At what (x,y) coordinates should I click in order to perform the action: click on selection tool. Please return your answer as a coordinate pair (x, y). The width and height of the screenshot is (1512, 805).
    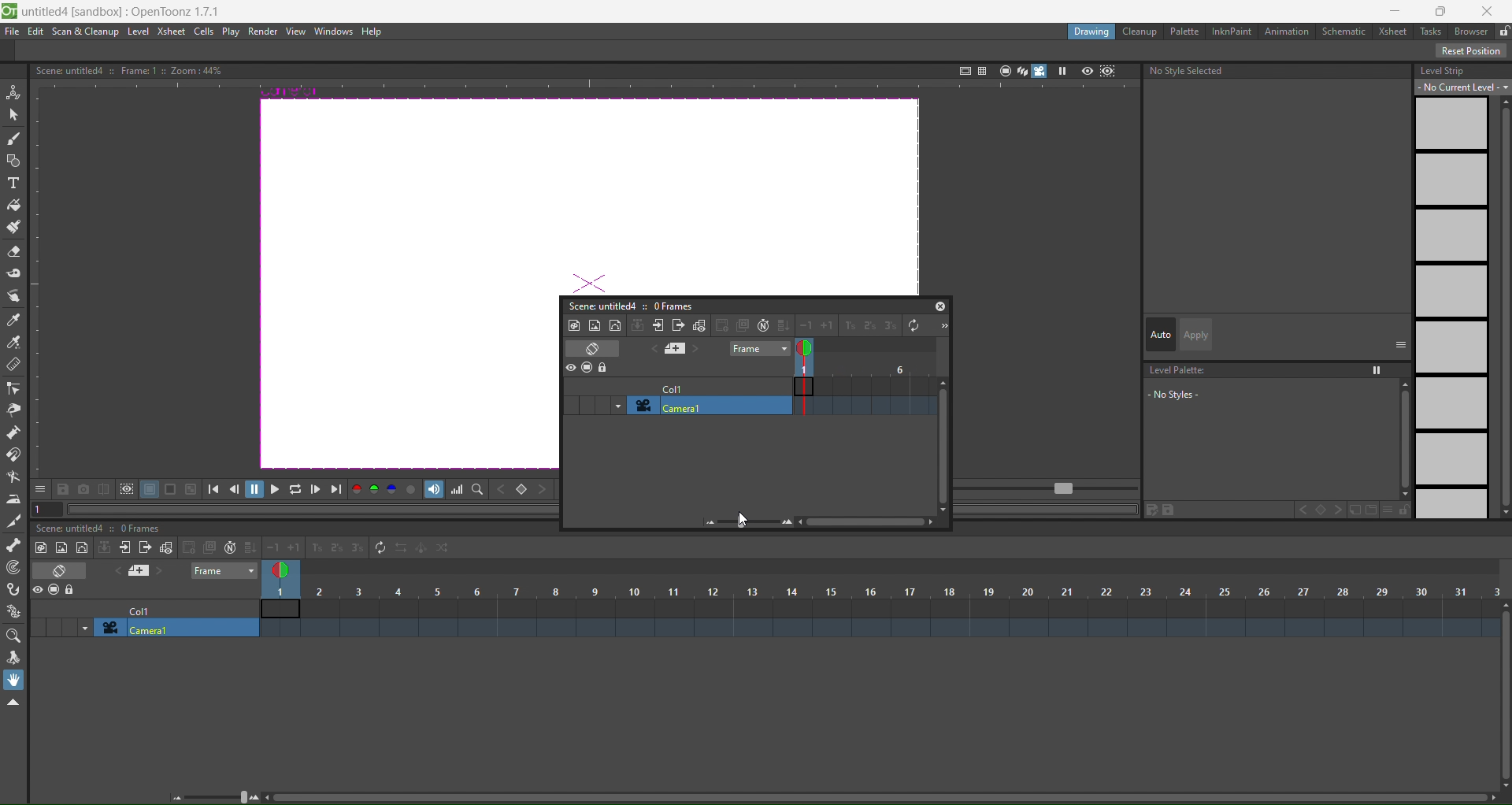
    Looking at the image, I should click on (14, 113).